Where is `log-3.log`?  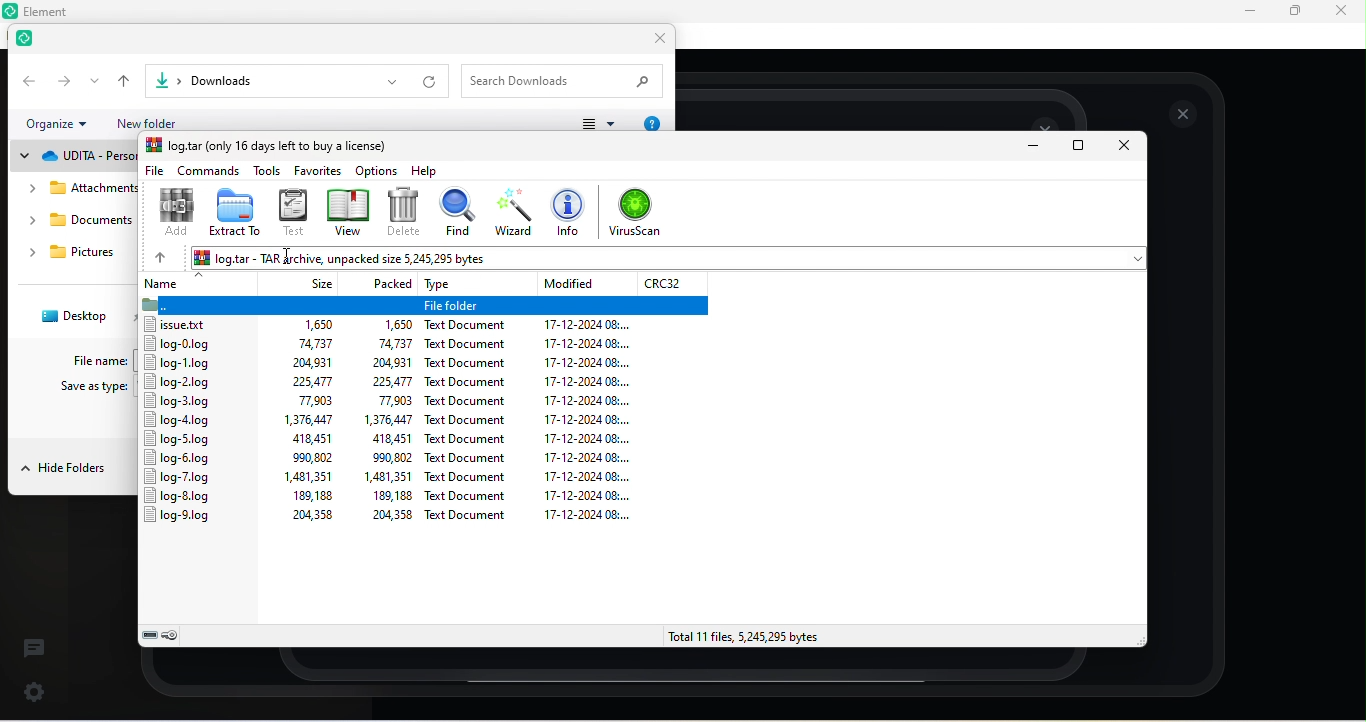 log-3.log is located at coordinates (186, 402).